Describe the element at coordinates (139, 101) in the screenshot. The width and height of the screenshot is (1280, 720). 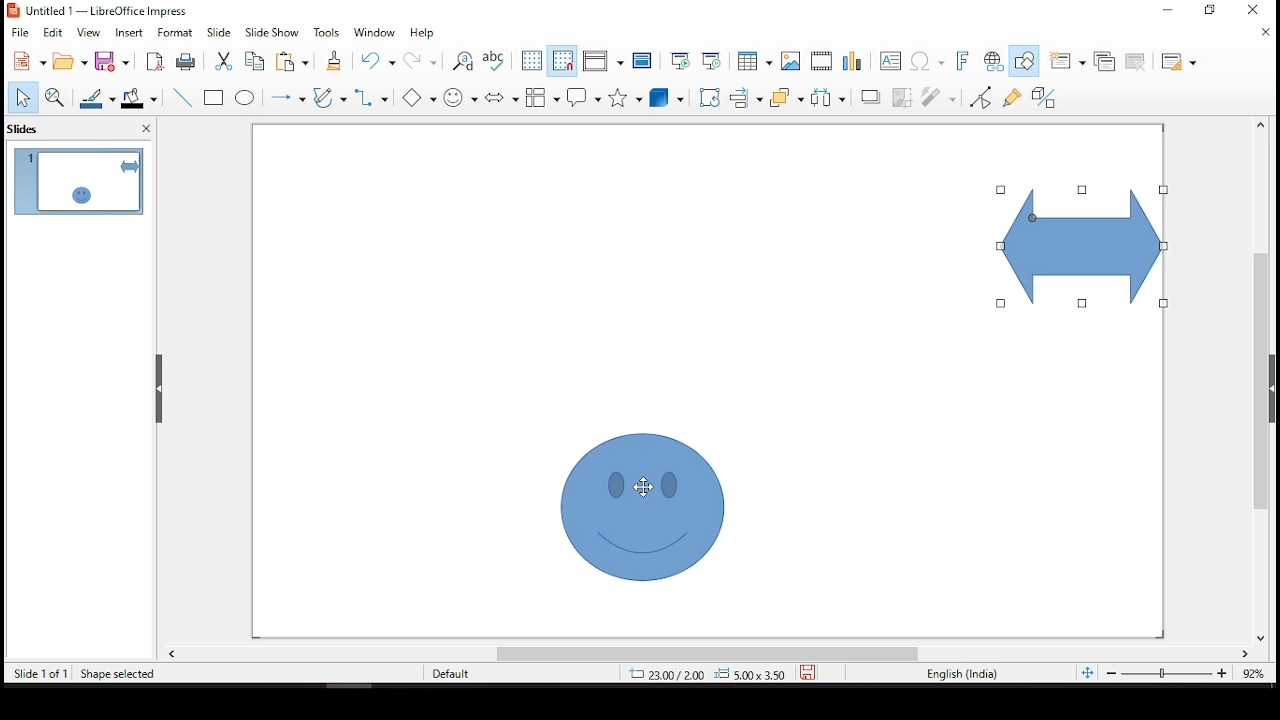
I see `fill color` at that location.